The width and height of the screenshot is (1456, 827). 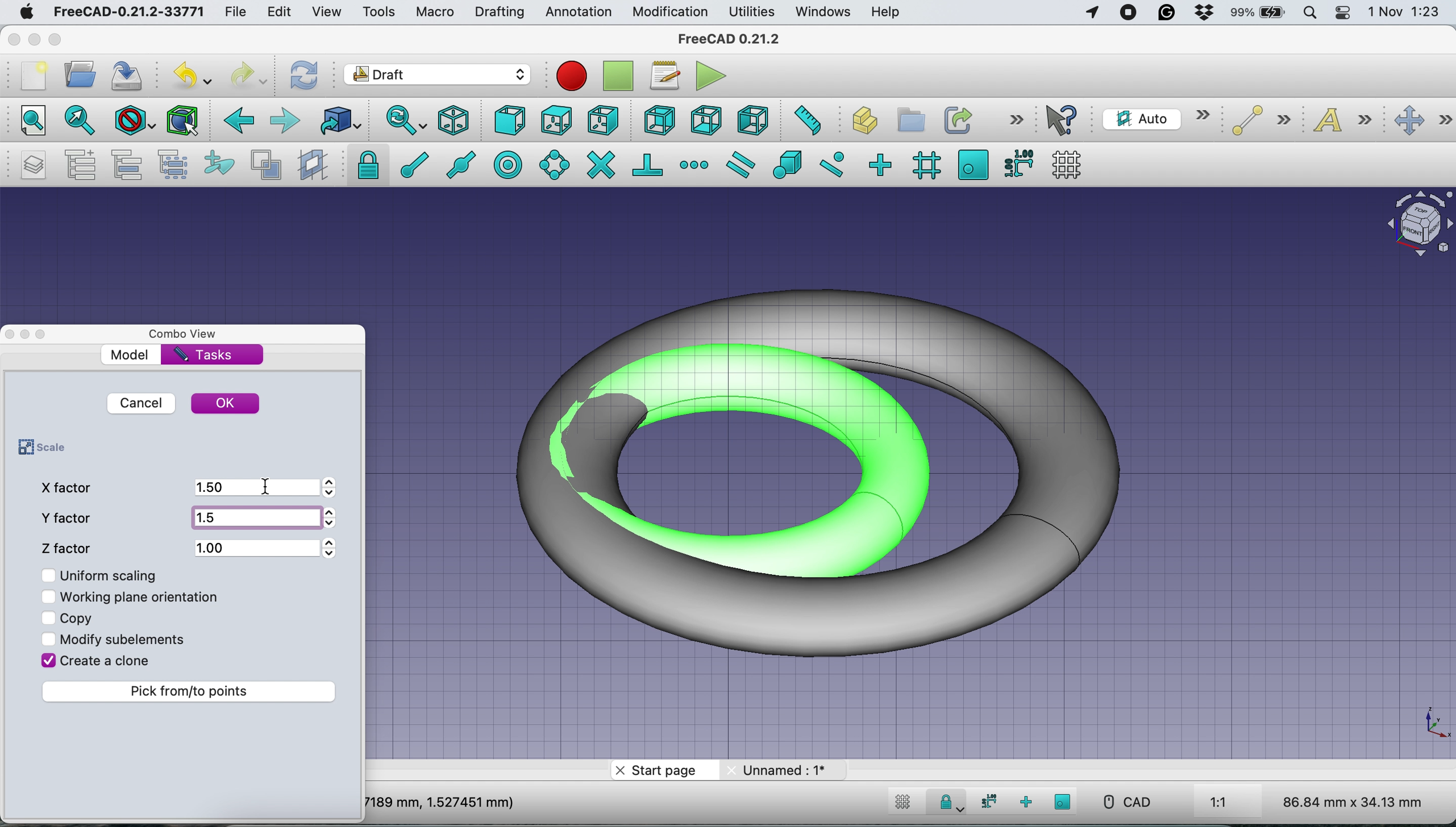 I want to click on snap midpoint, so click(x=464, y=164).